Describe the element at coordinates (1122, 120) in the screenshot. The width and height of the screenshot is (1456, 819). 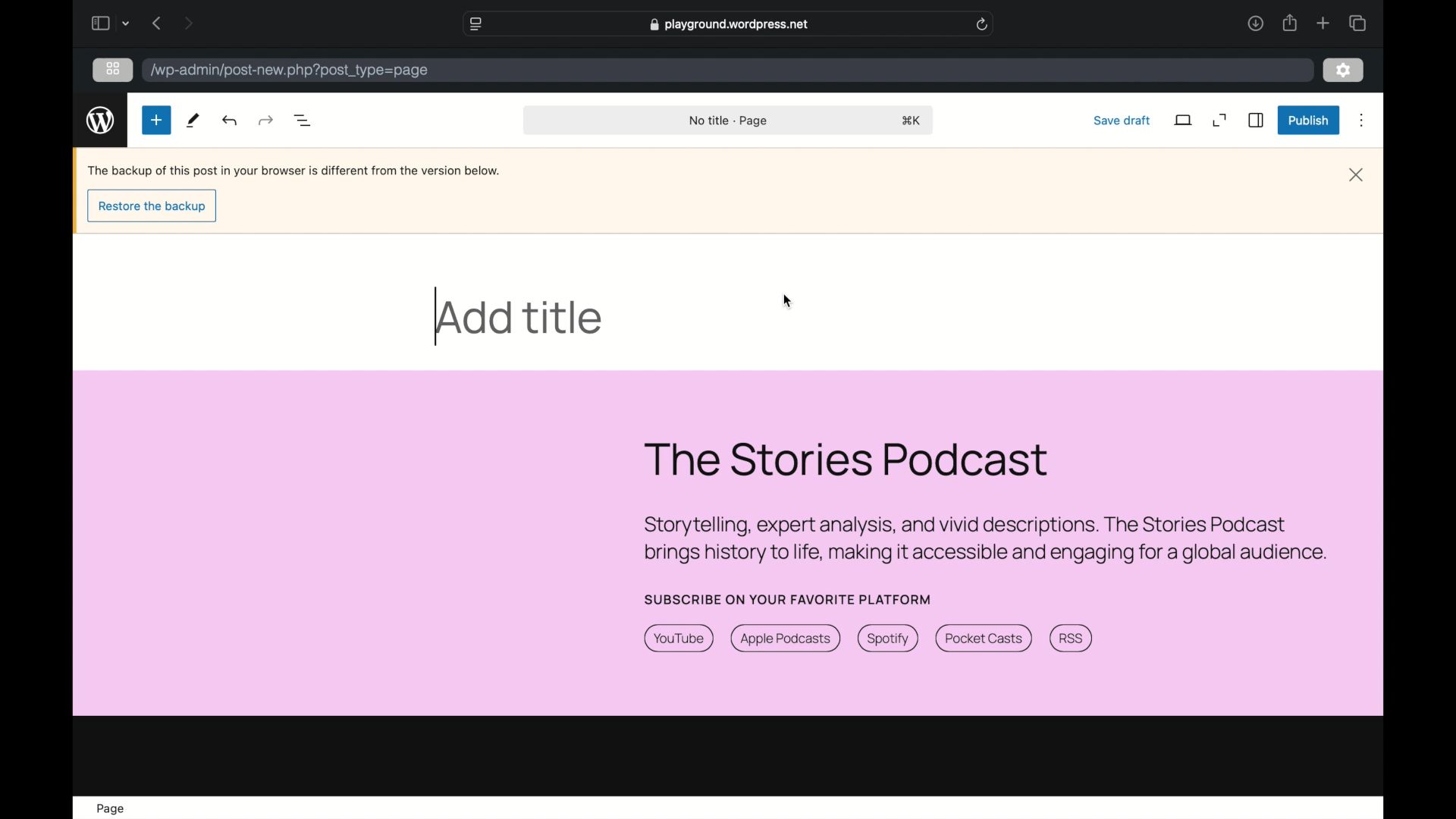
I see `save draft` at that location.